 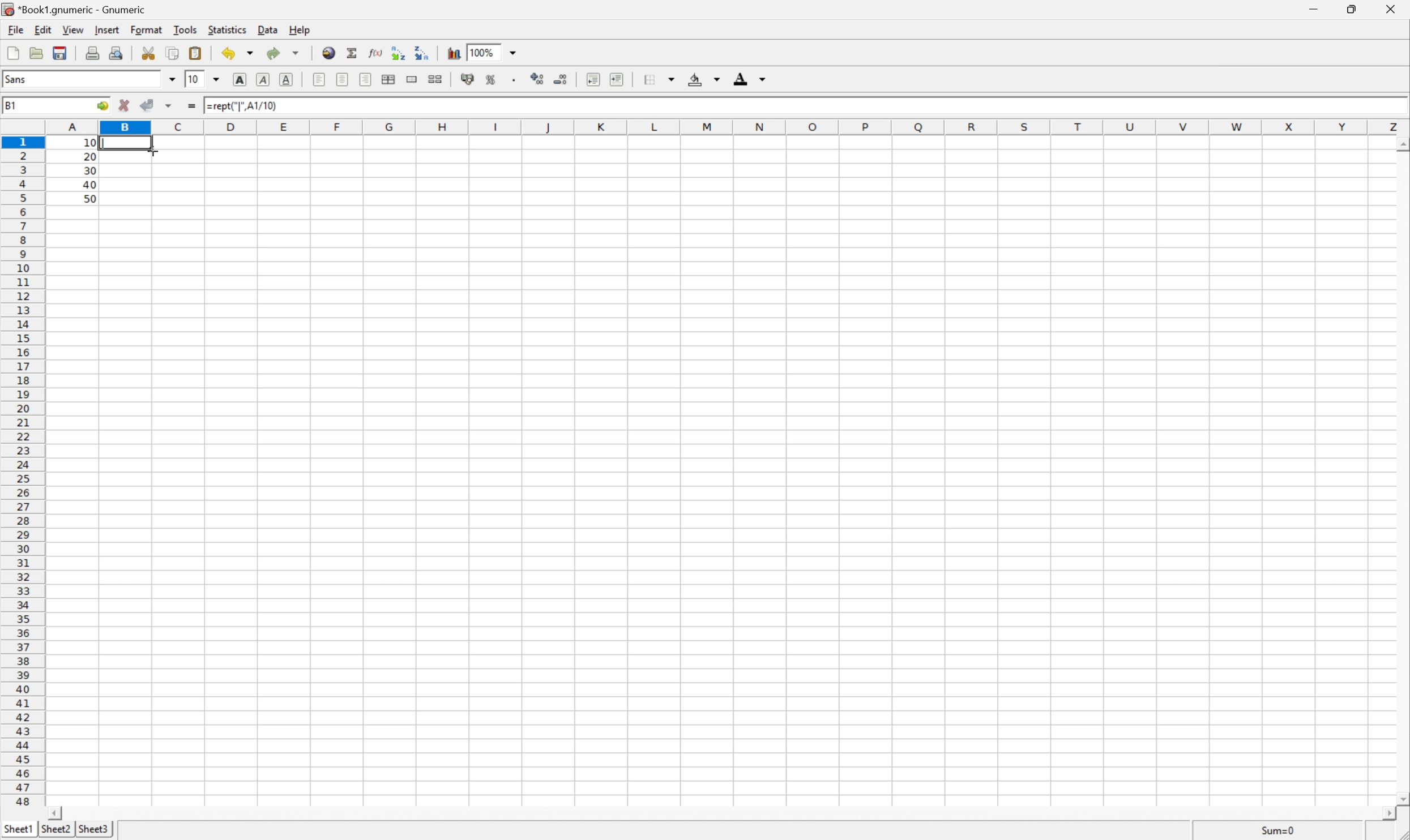 What do you see at coordinates (11, 104) in the screenshot?
I see `B1` at bounding box center [11, 104].